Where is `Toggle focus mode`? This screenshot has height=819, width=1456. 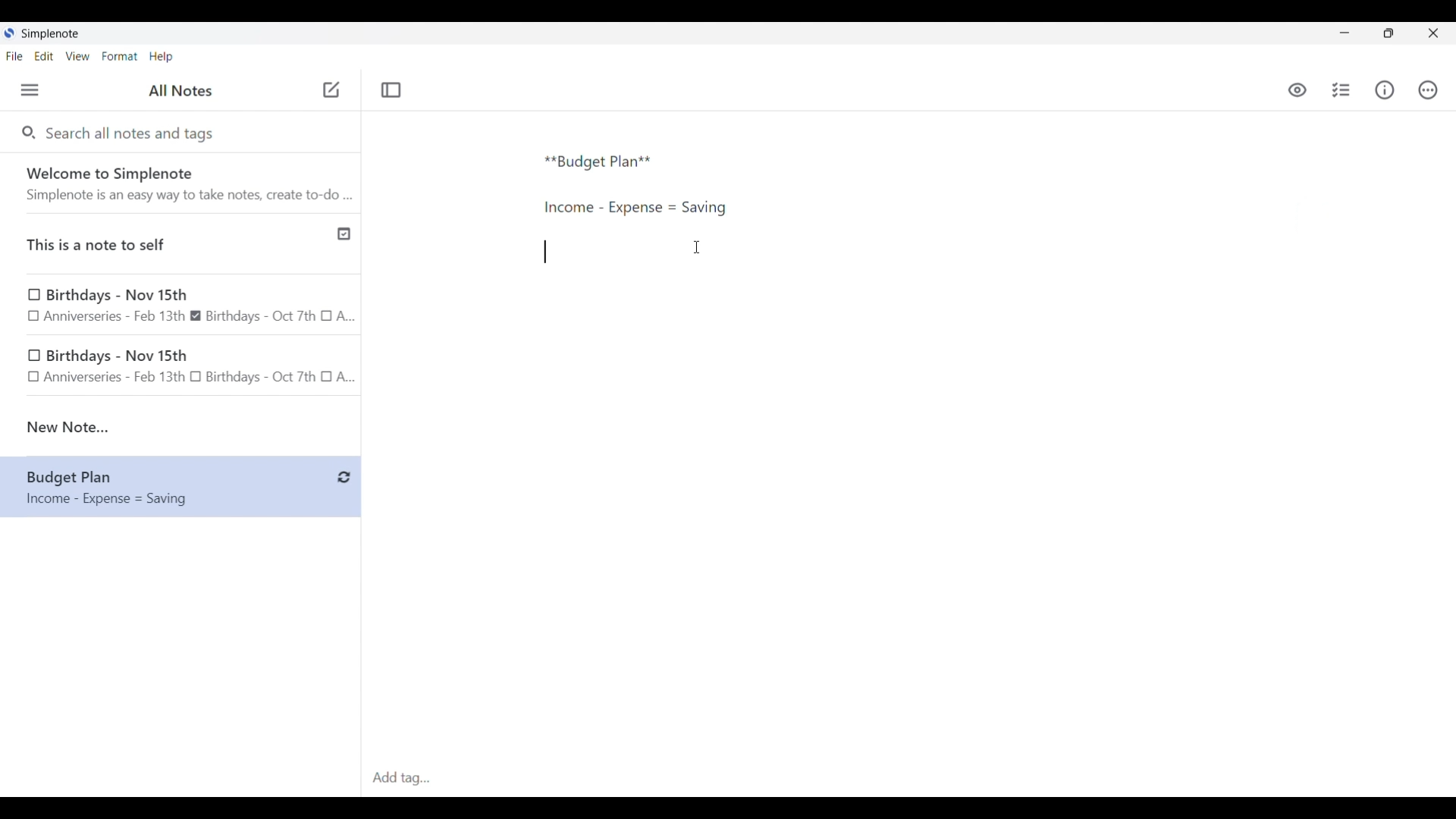 Toggle focus mode is located at coordinates (391, 90).